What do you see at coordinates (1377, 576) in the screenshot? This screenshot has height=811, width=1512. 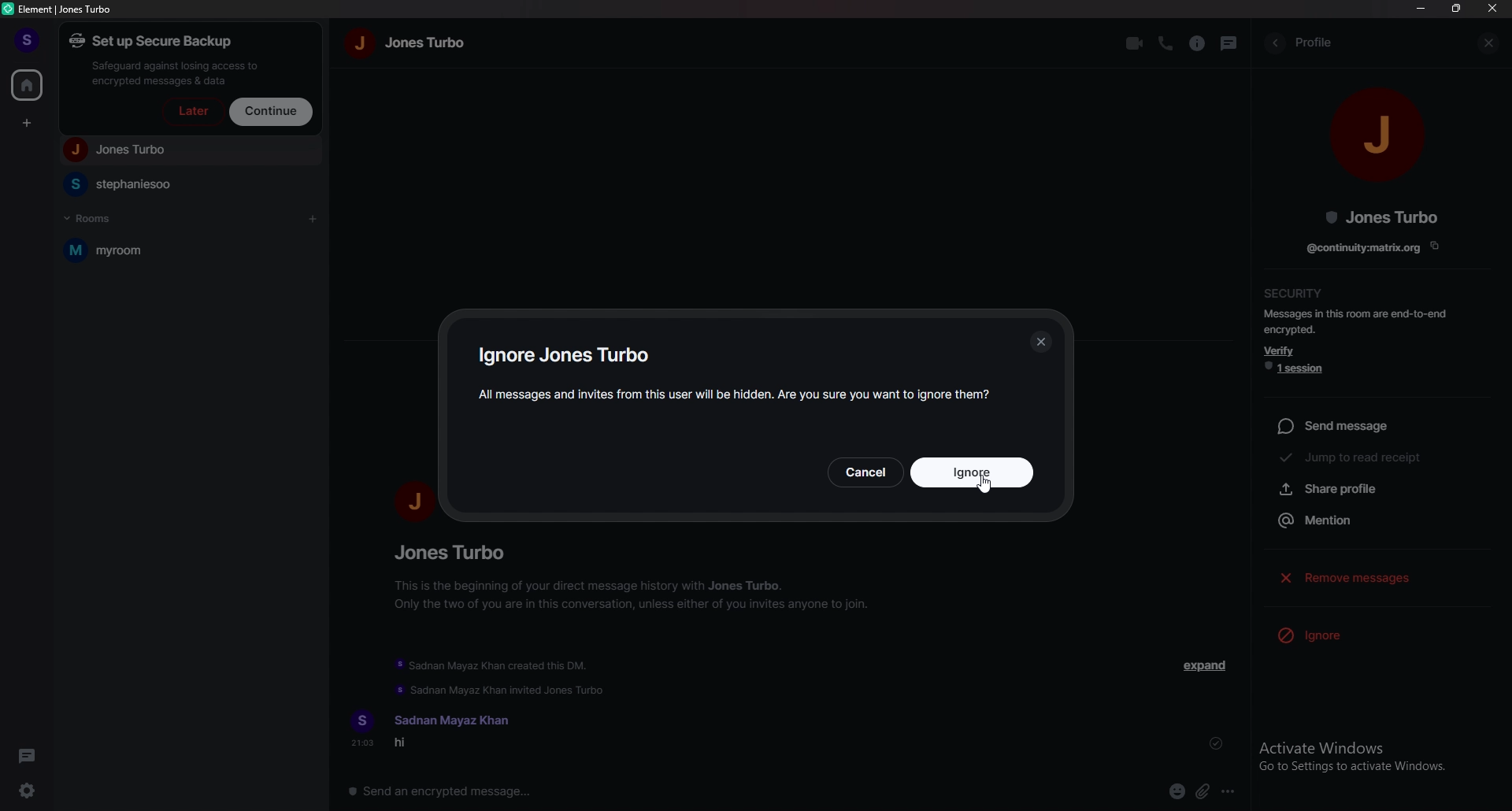 I see `remove messages` at bounding box center [1377, 576].